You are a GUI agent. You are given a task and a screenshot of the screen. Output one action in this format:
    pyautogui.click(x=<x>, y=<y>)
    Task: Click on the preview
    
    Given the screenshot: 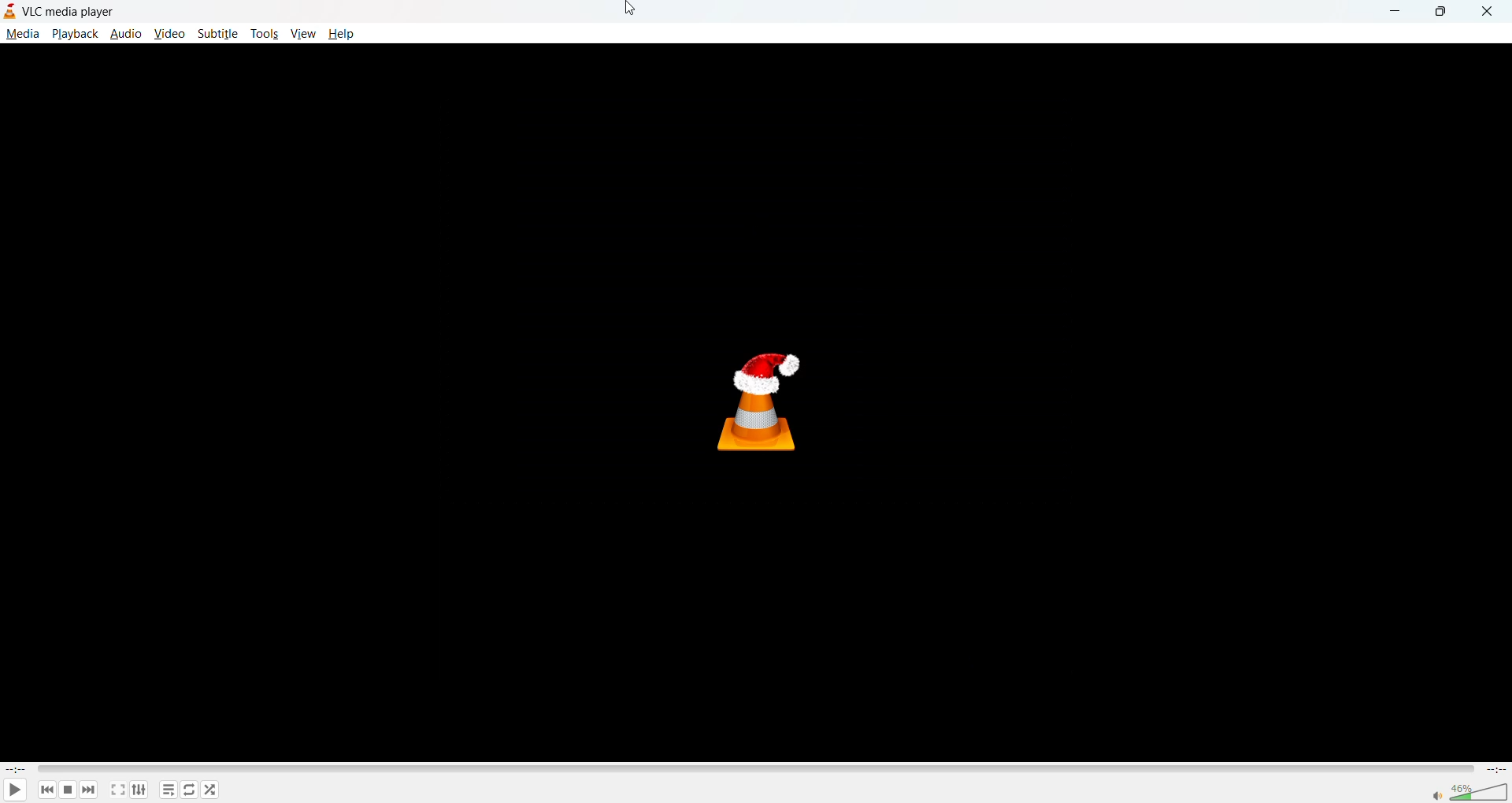 What is the action you would take?
    pyautogui.click(x=759, y=405)
    